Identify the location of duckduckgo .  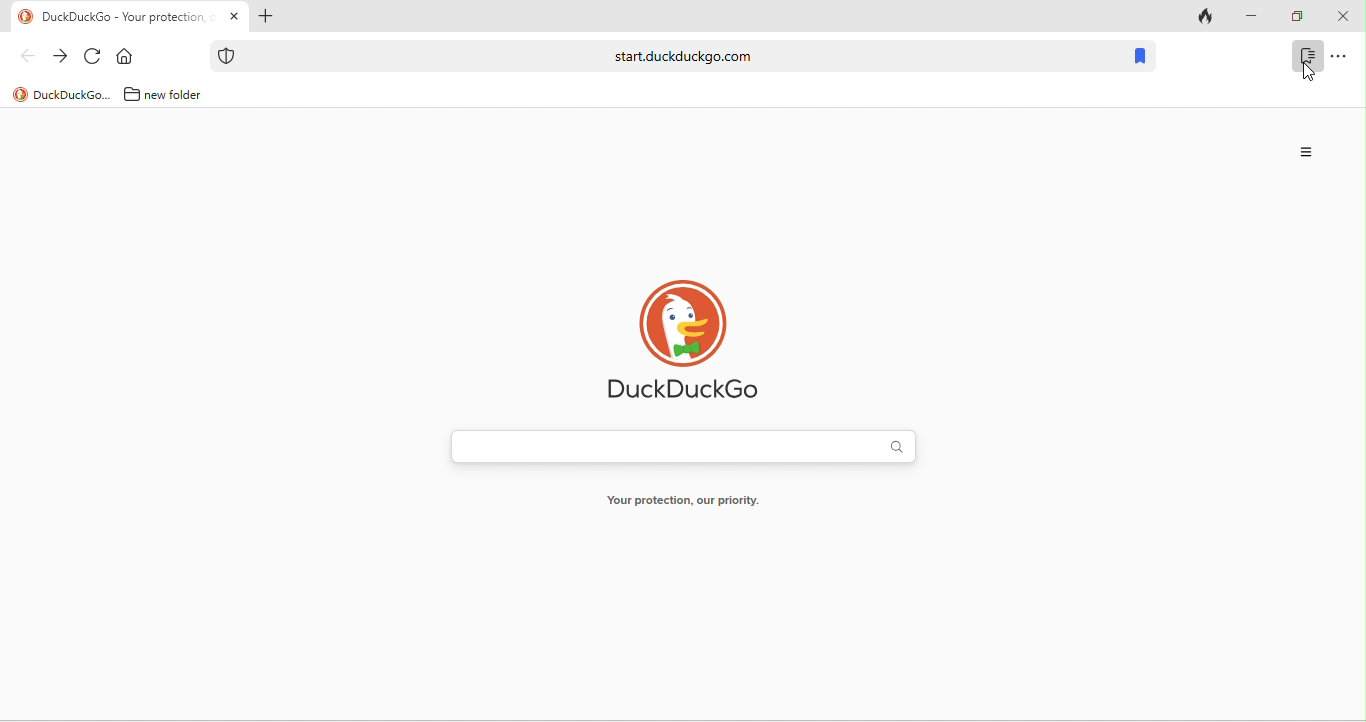
(61, 94).